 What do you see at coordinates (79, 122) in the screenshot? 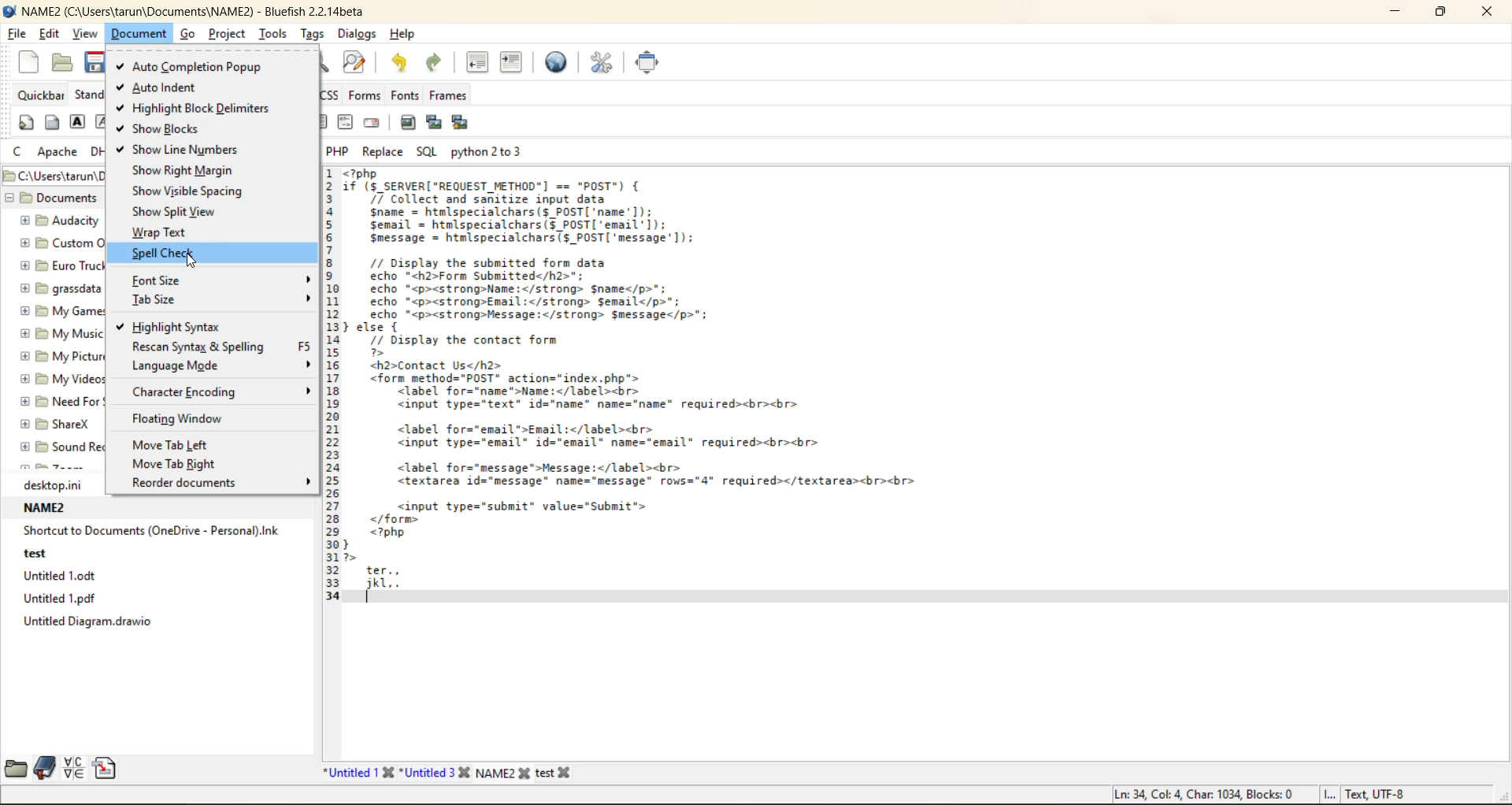
I see `strong` at bounding box center [79, 122].